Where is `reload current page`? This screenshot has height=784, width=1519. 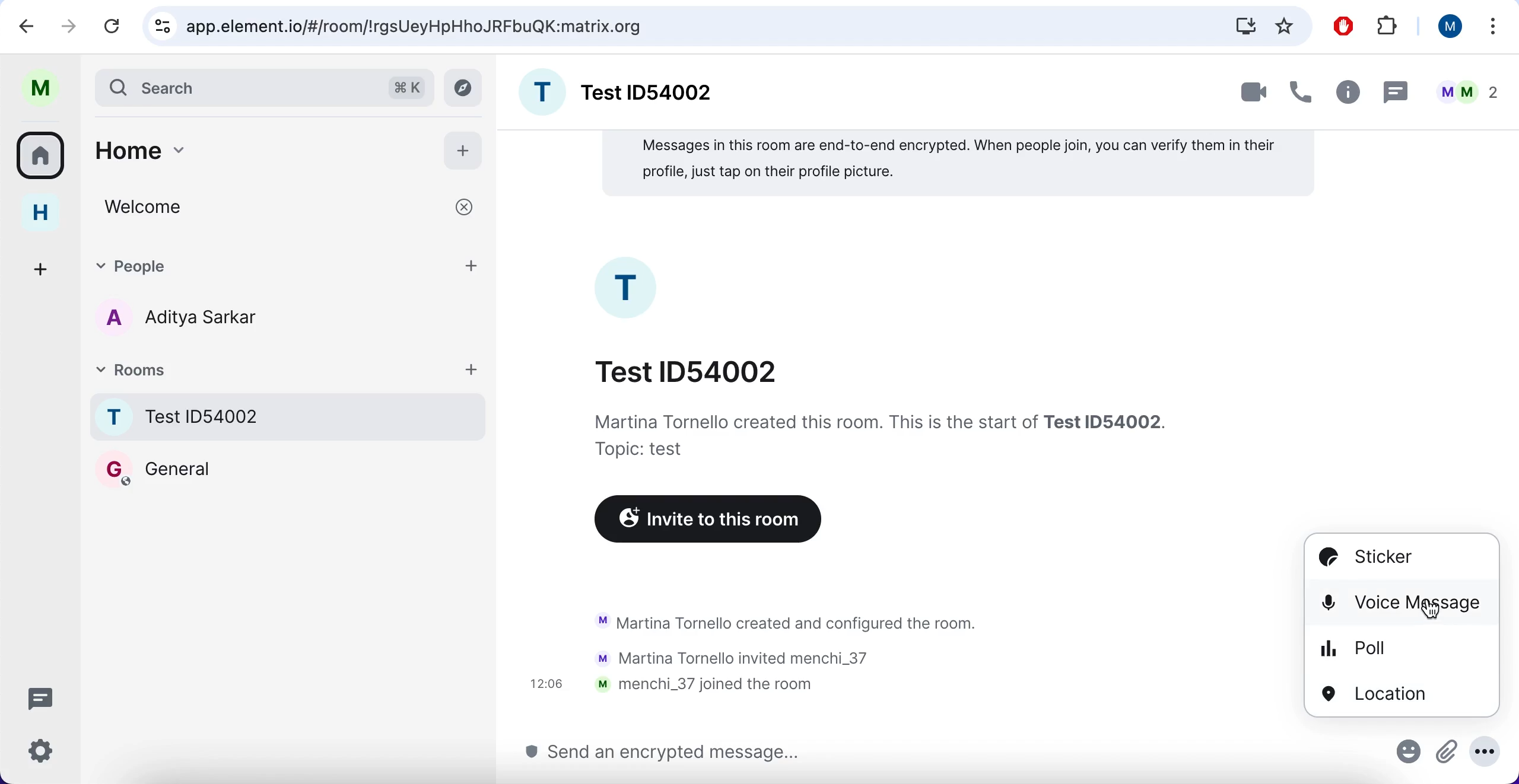
reload current page is located at coordinates (114, 27).